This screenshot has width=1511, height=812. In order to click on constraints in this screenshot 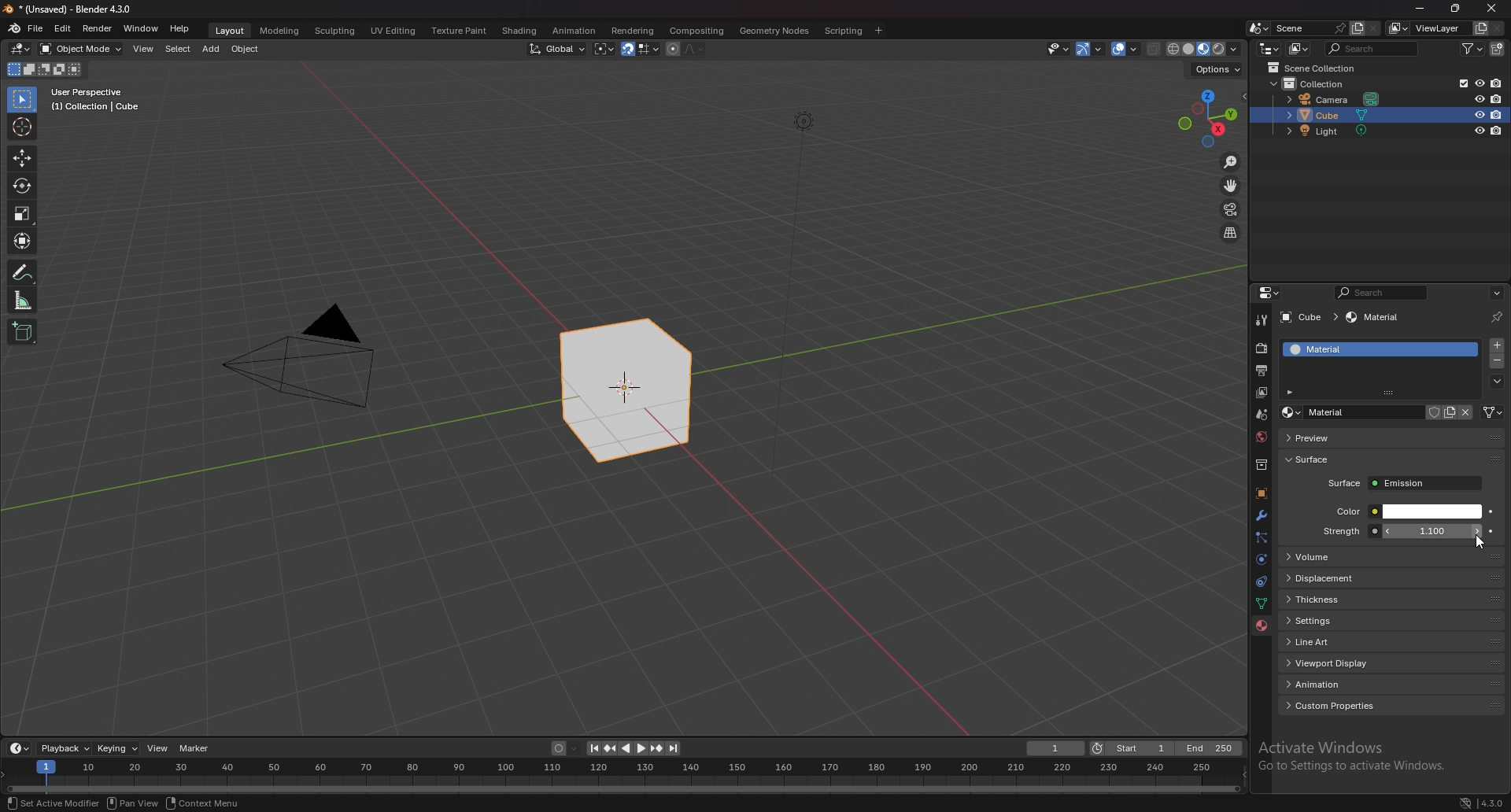, I will do `click(1258, 582)`.